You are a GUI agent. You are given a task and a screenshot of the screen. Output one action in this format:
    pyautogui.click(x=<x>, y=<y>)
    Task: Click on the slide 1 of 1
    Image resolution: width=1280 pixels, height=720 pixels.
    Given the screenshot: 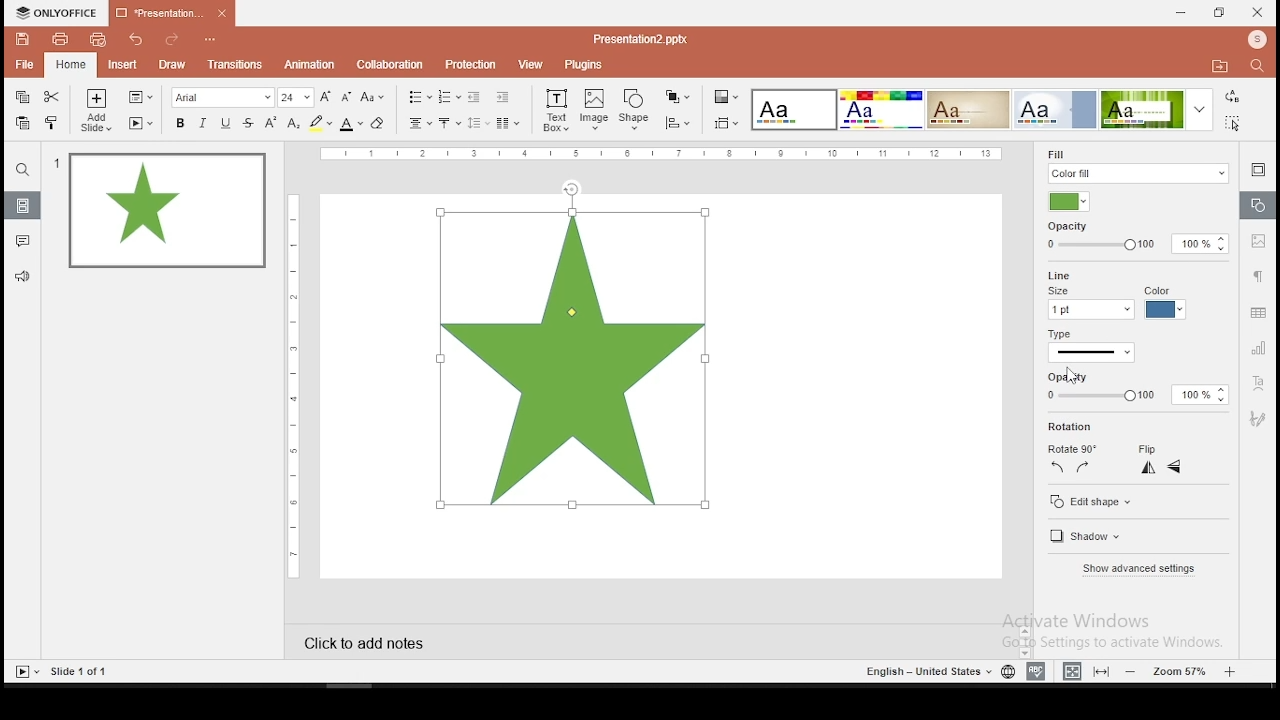 What is the action you would take?
    pyautogui.click(x=81, y=671)
    